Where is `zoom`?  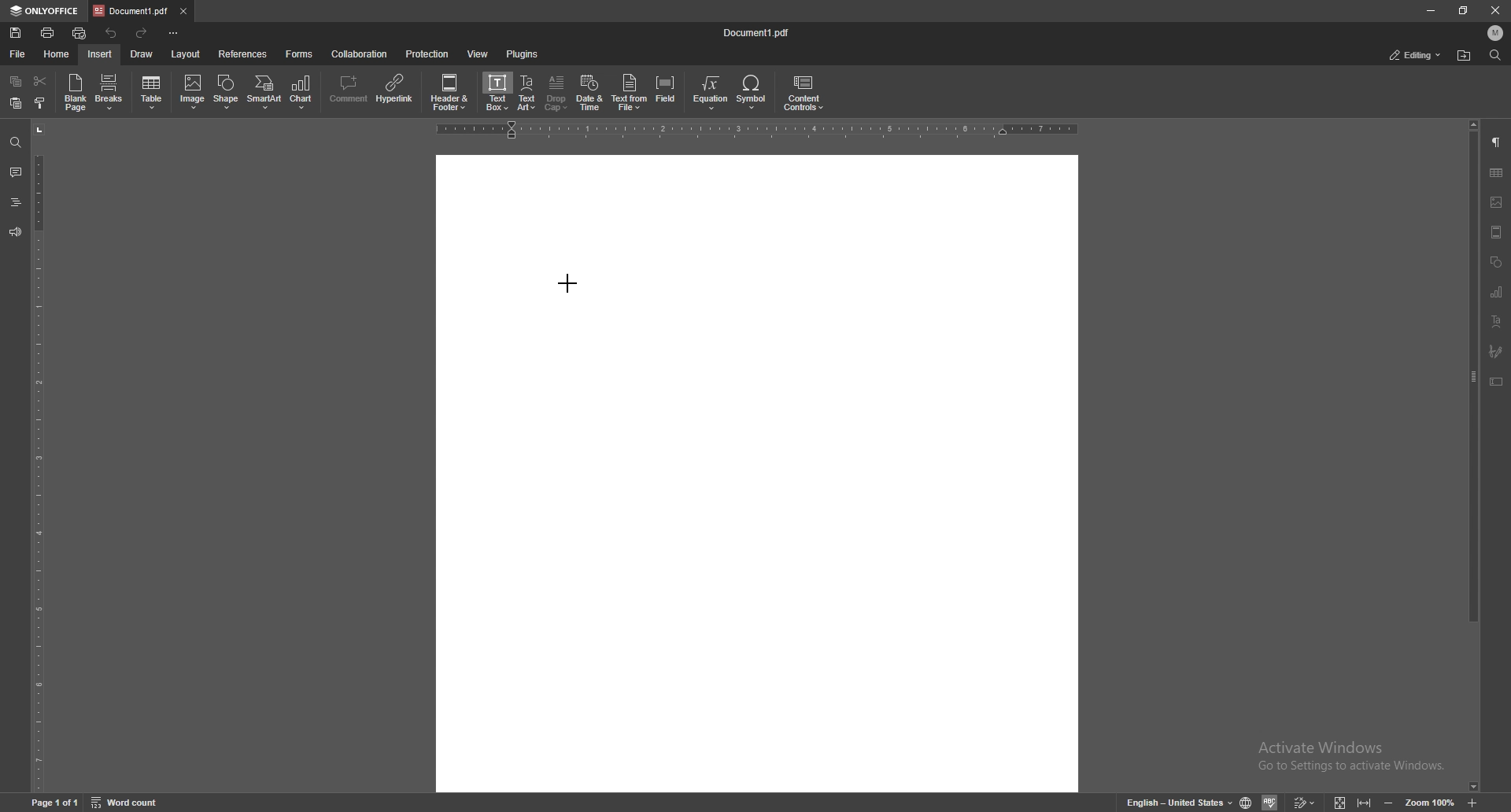 zoom is located at coordinates (1430, 803).